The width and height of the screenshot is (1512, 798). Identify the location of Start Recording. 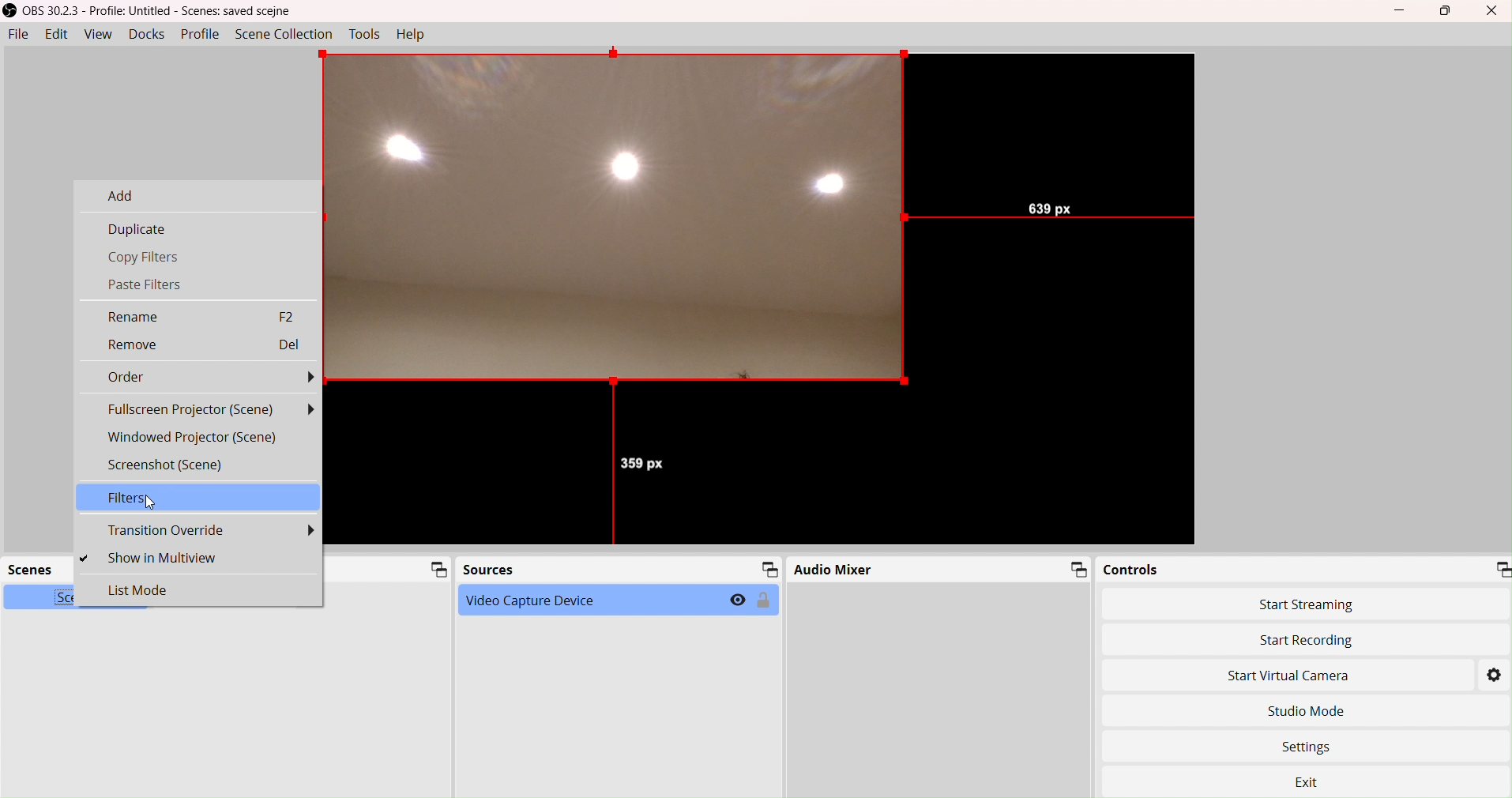
(1307, 641).